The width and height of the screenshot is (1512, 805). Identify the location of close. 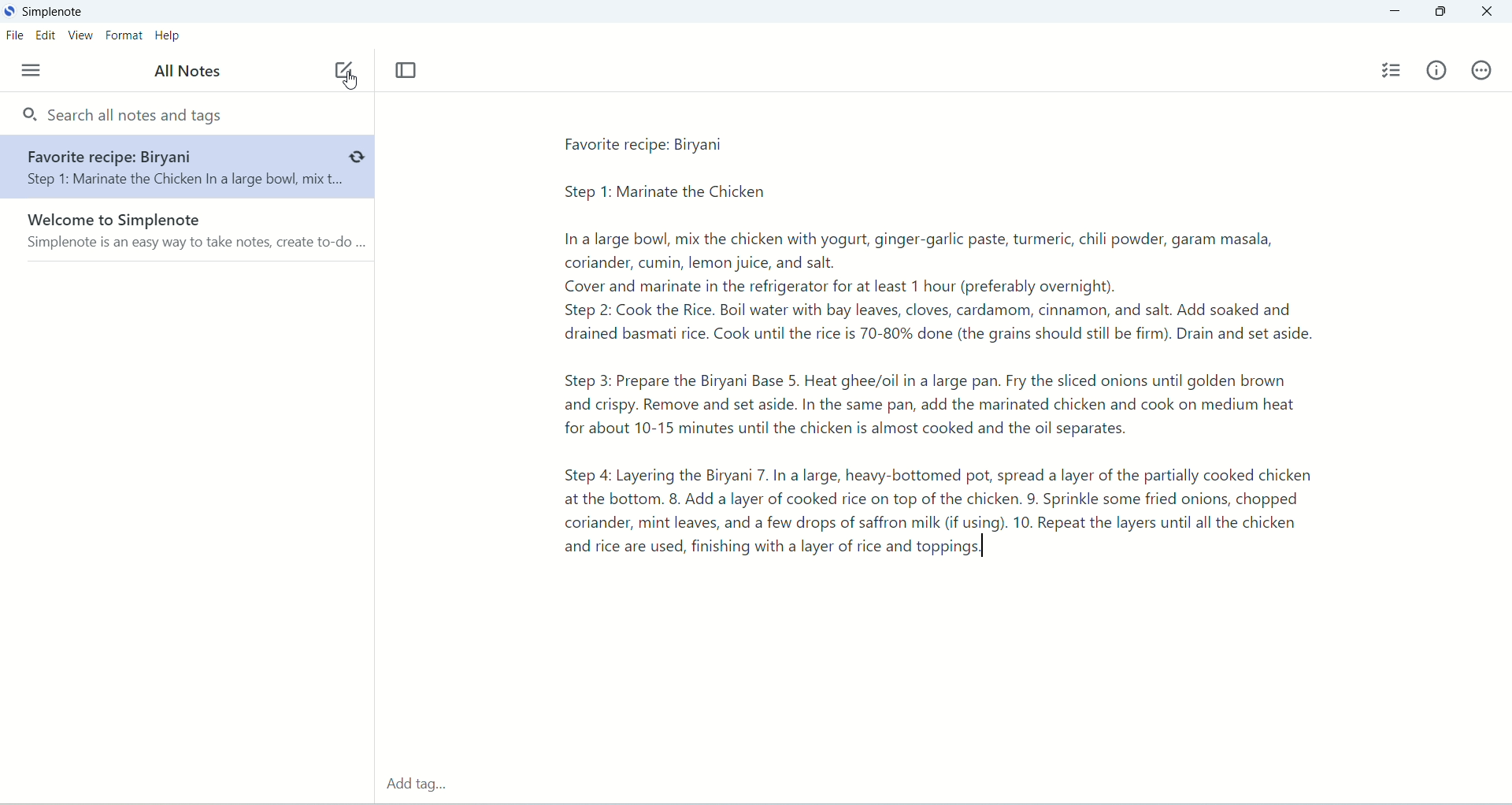
(1495, 13).